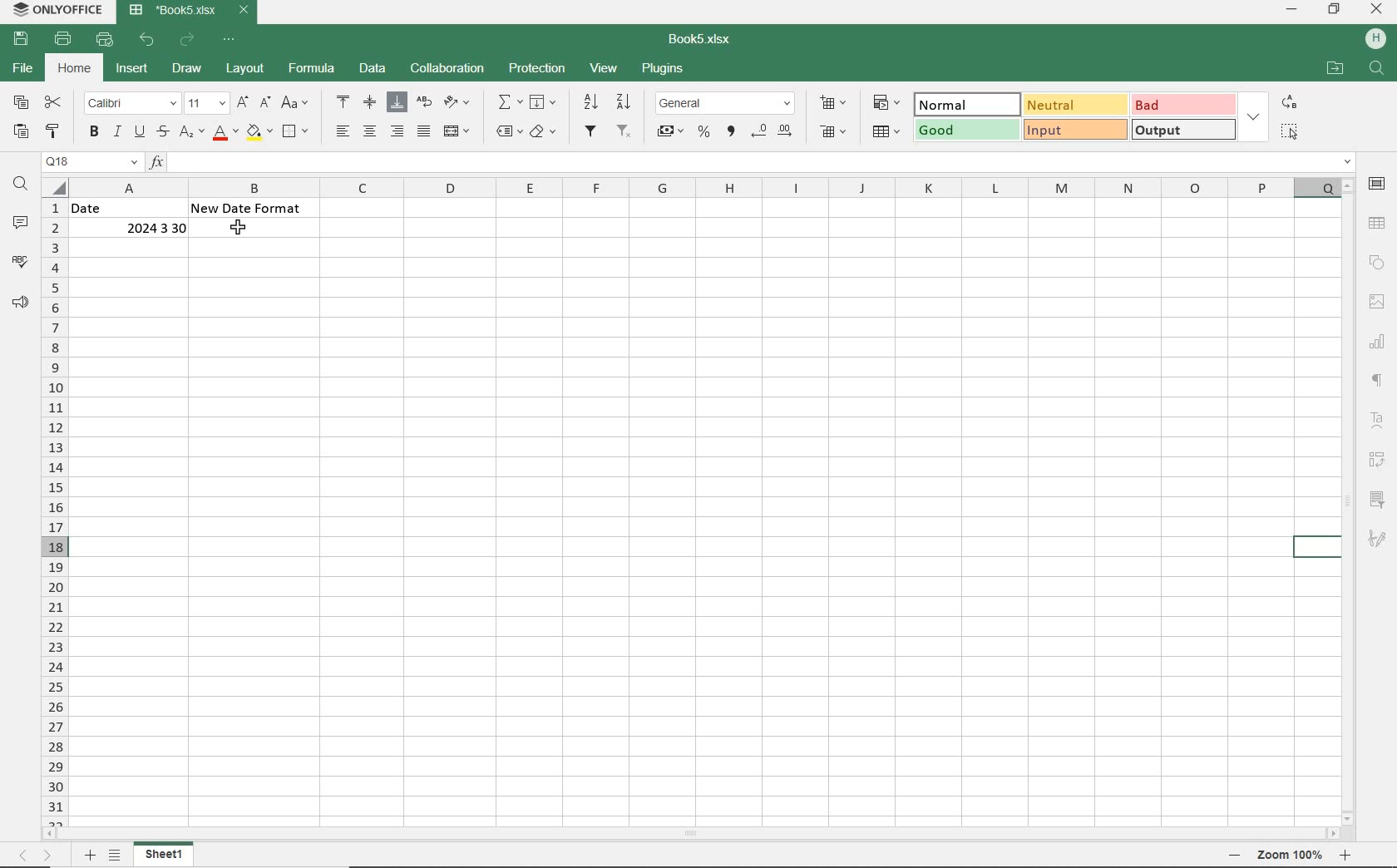 Image resolution: width=1397 pixels, height=868 pixels. I want to click on CLEAR, so click(544, 131).